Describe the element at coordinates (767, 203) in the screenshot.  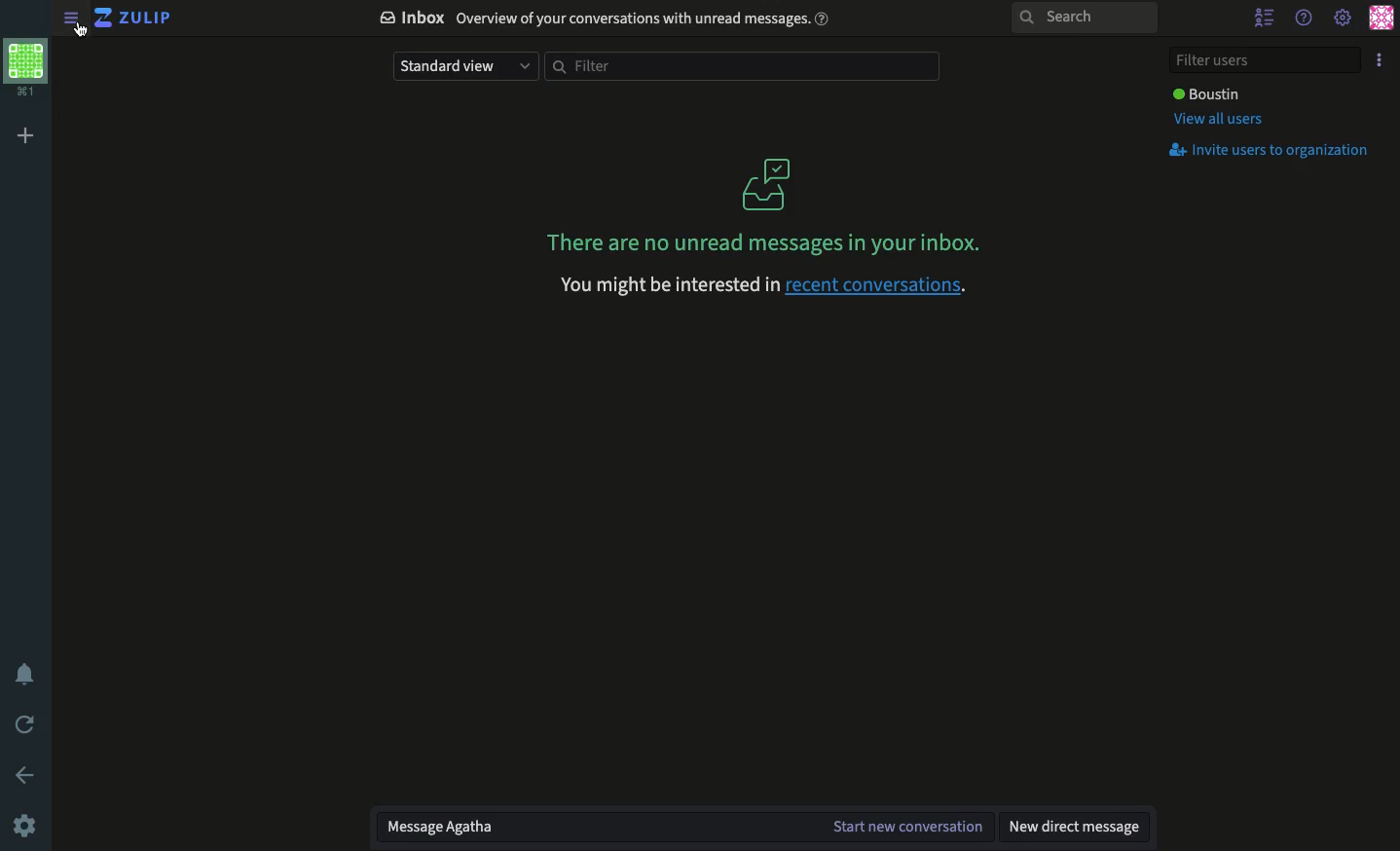
I see `No messages in your box` at that location.